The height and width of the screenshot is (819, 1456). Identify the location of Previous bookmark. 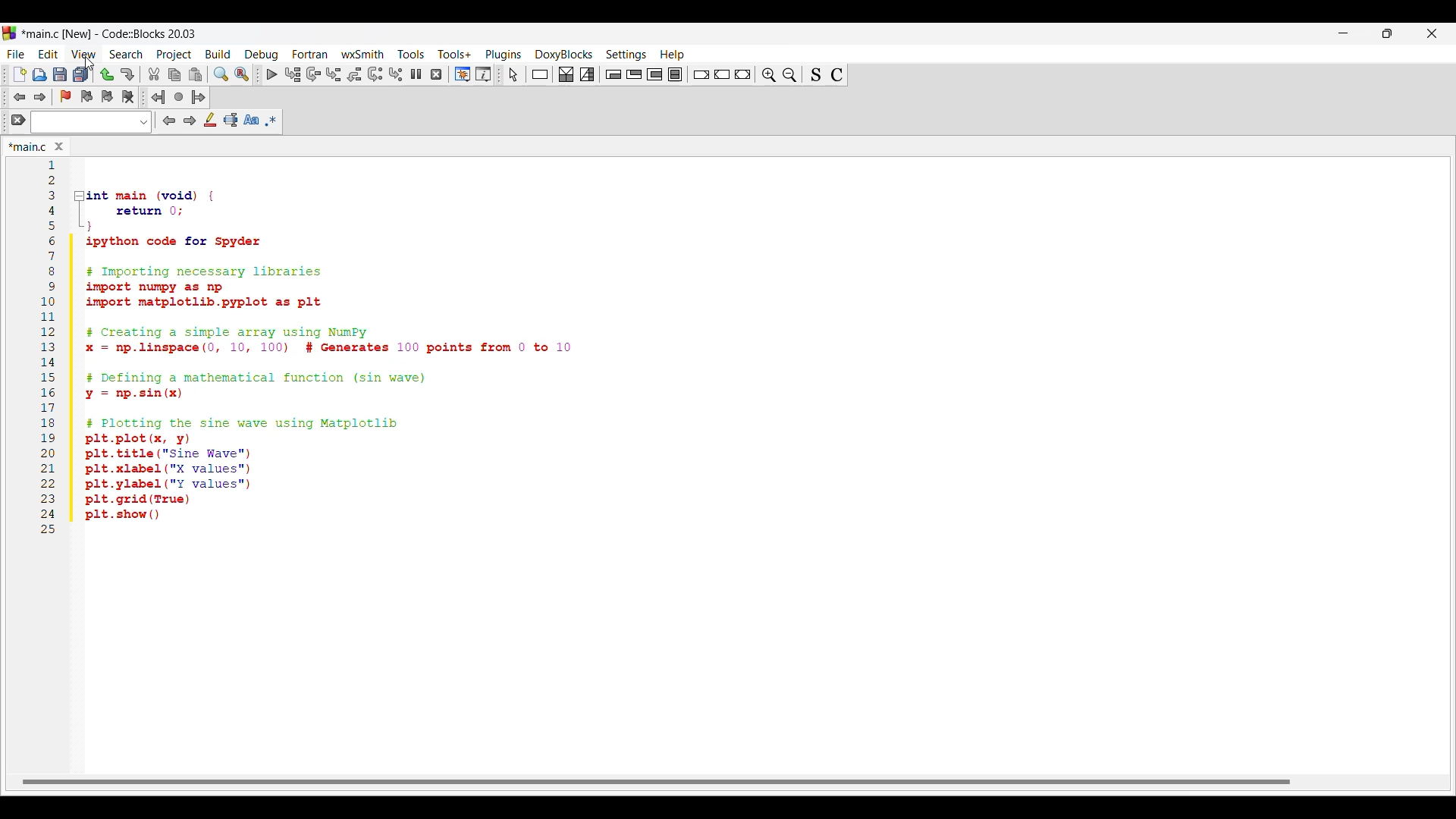
(86, 97).